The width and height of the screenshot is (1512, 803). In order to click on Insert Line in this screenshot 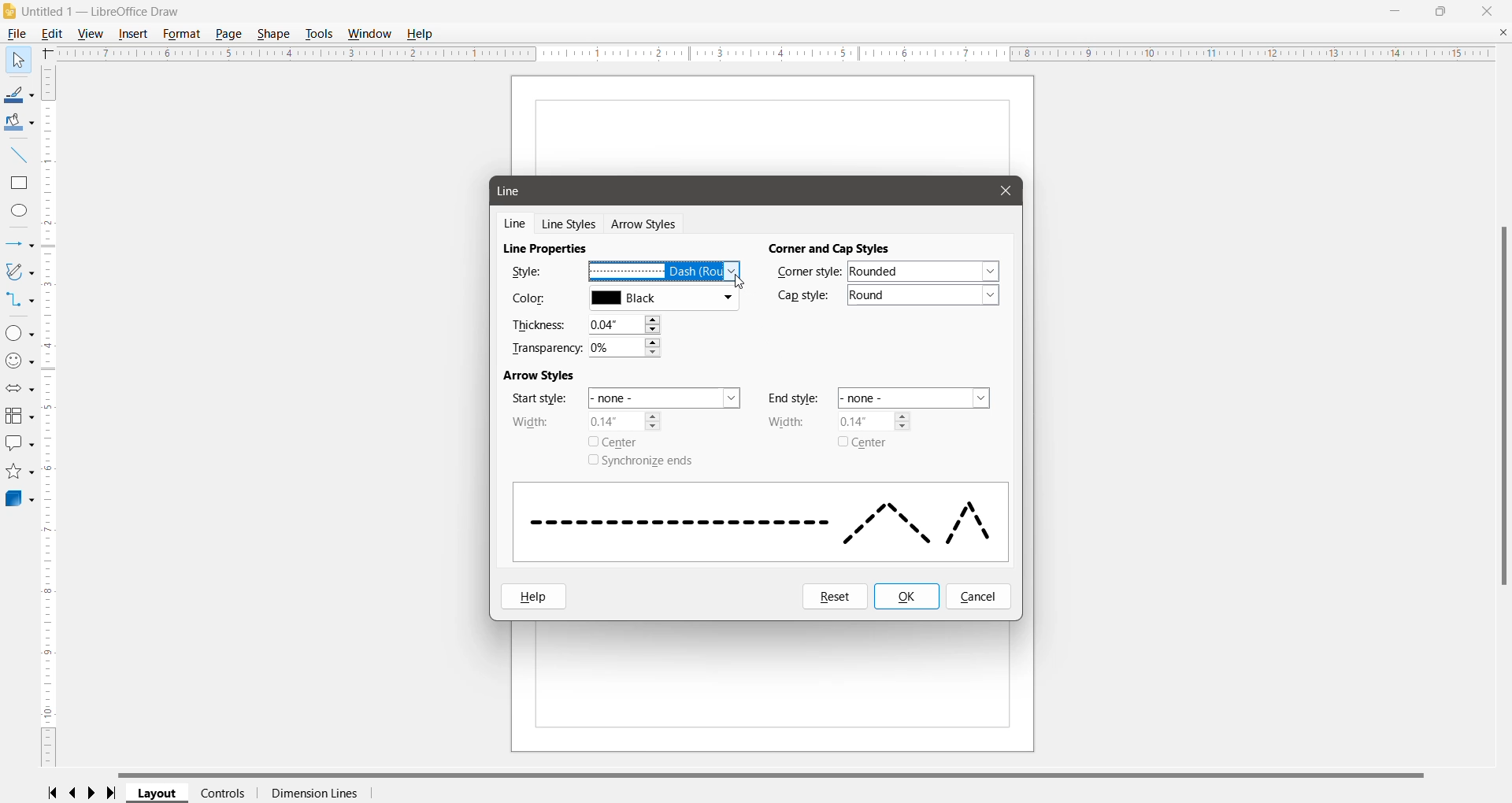, I will do `click(20, 155)`.